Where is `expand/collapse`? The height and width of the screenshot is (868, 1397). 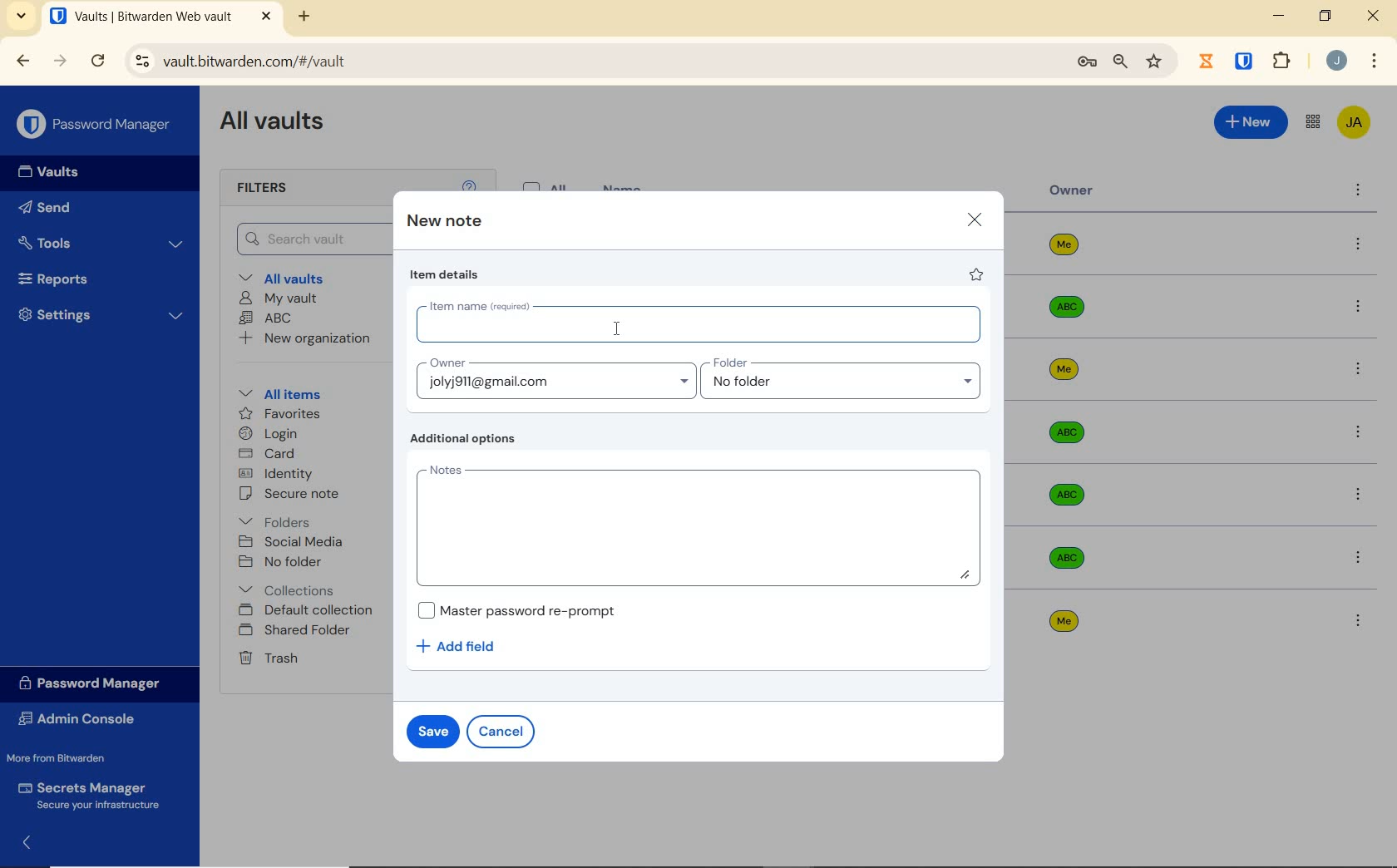 expand/collapse is located at coordinates (30, 841).